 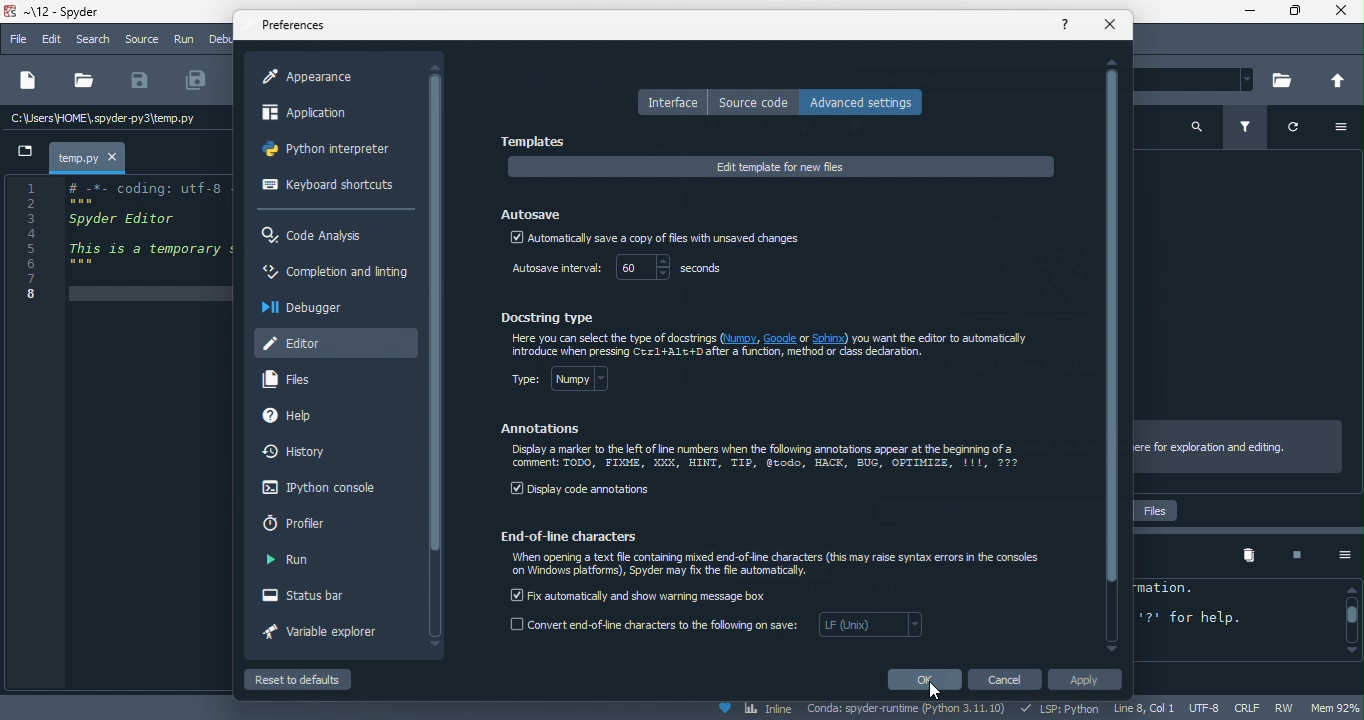 I want to click on option, so click(x=1347, y=129).